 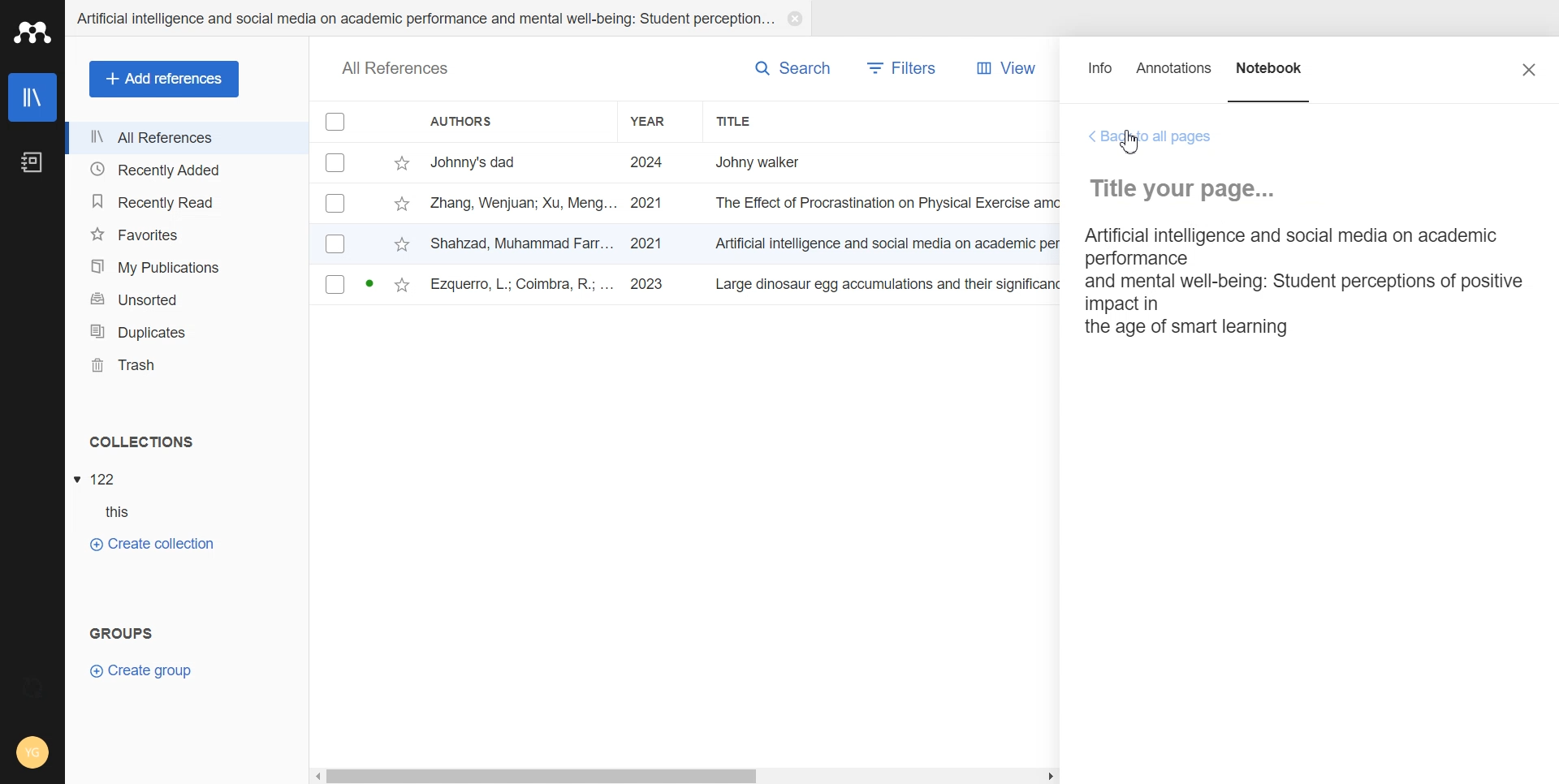 I want to click on Search, so click(x=792, y=67).